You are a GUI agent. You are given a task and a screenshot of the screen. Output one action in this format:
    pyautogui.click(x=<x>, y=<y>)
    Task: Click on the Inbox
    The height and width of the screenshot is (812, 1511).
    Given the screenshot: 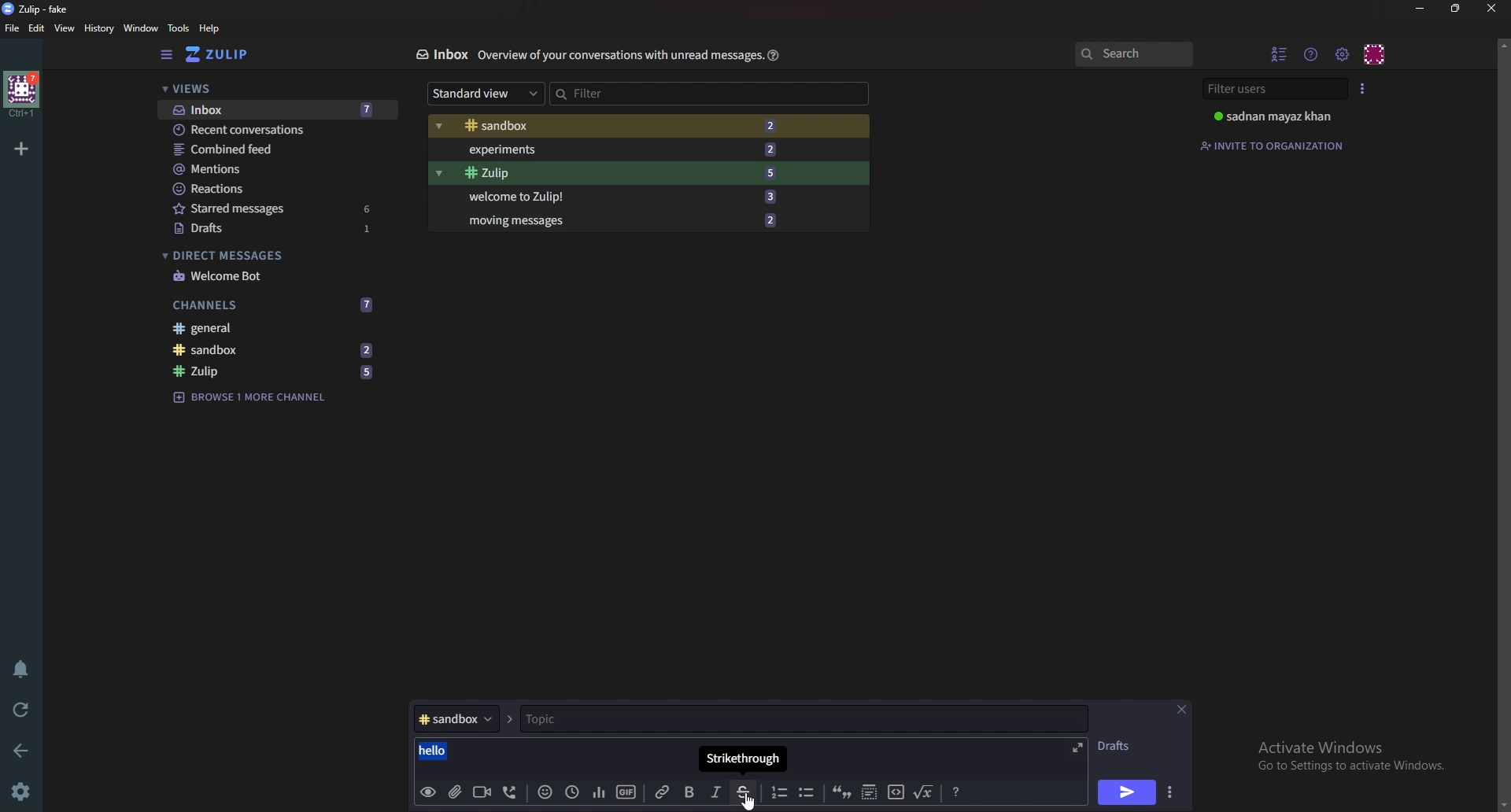 What is the action you would take?
    pyautogui.click(x=443, y=55)
    